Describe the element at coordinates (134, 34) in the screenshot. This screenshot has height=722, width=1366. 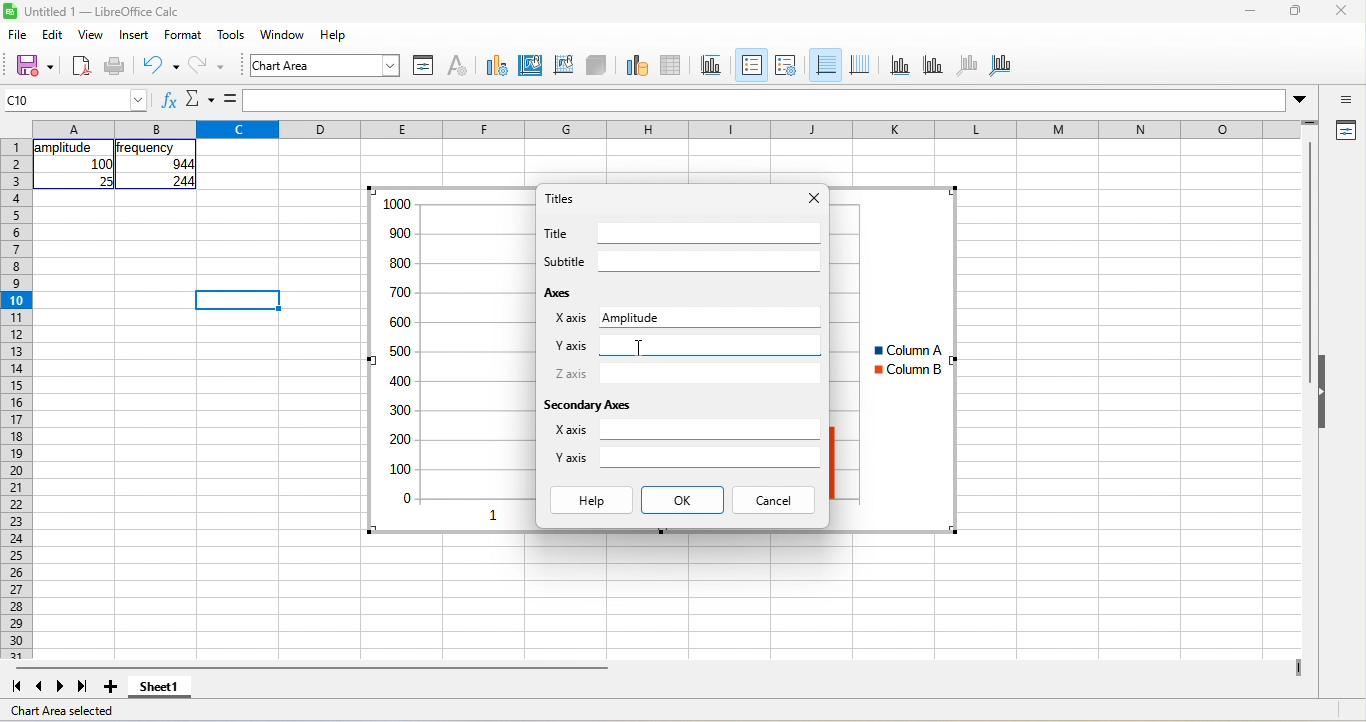
I see `insert` at that location.